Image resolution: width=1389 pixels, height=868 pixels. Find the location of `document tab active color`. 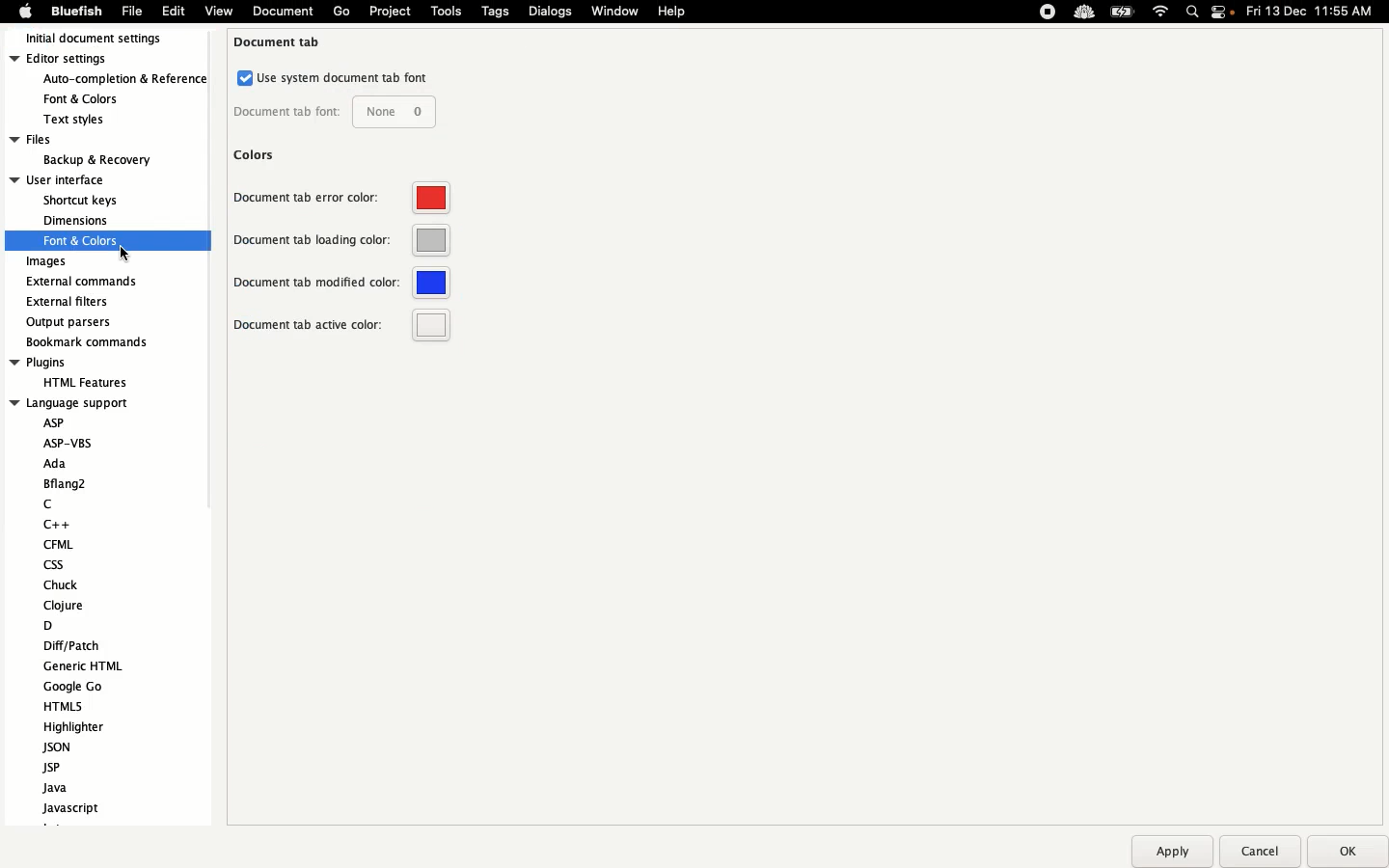

document tab active color is located at coordinates (343, 326).